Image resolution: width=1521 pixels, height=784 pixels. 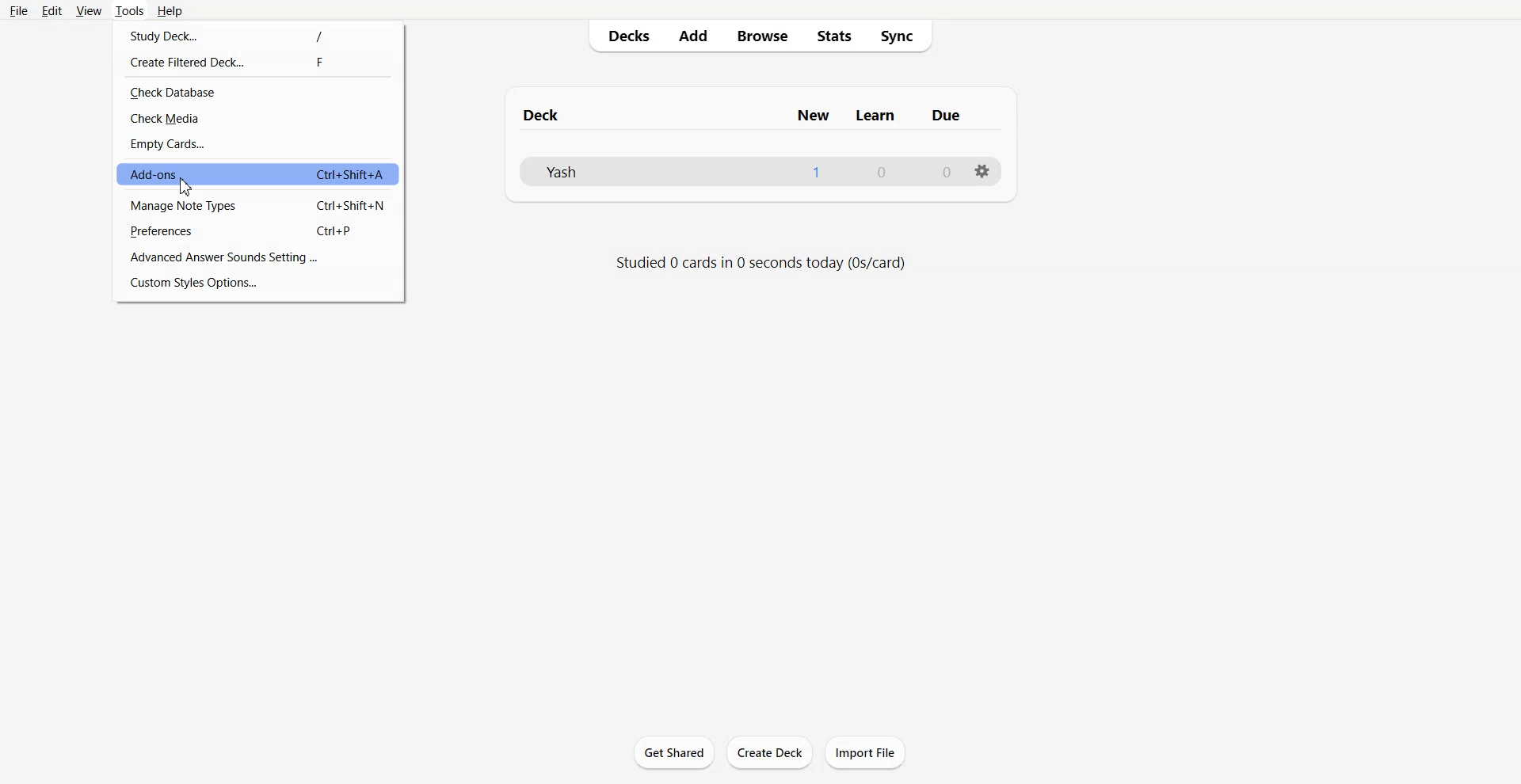 I want to click on Check Database, so click(x=258, y=92).